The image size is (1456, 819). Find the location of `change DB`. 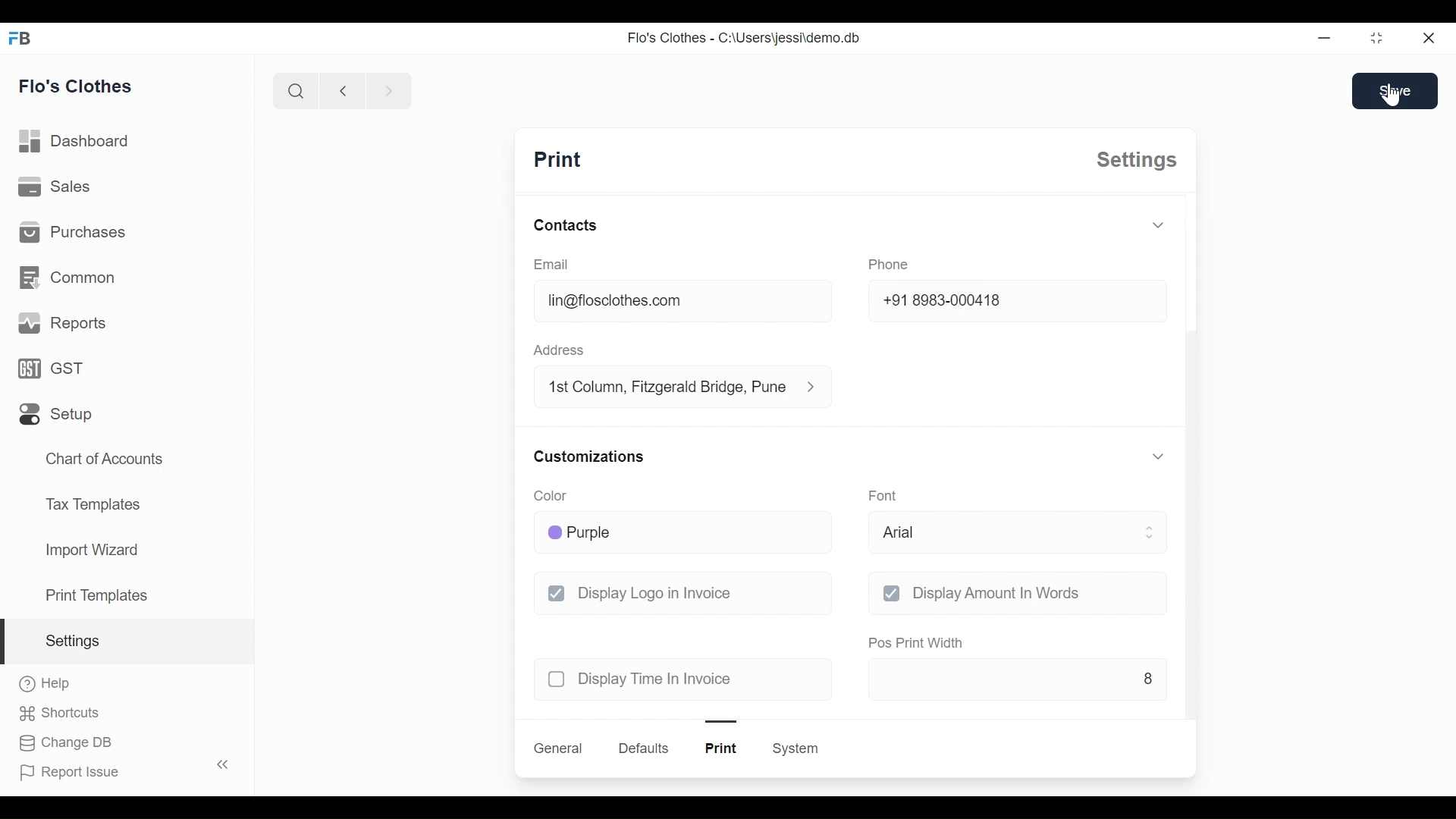

change DB is located at coordinates (64, 743).